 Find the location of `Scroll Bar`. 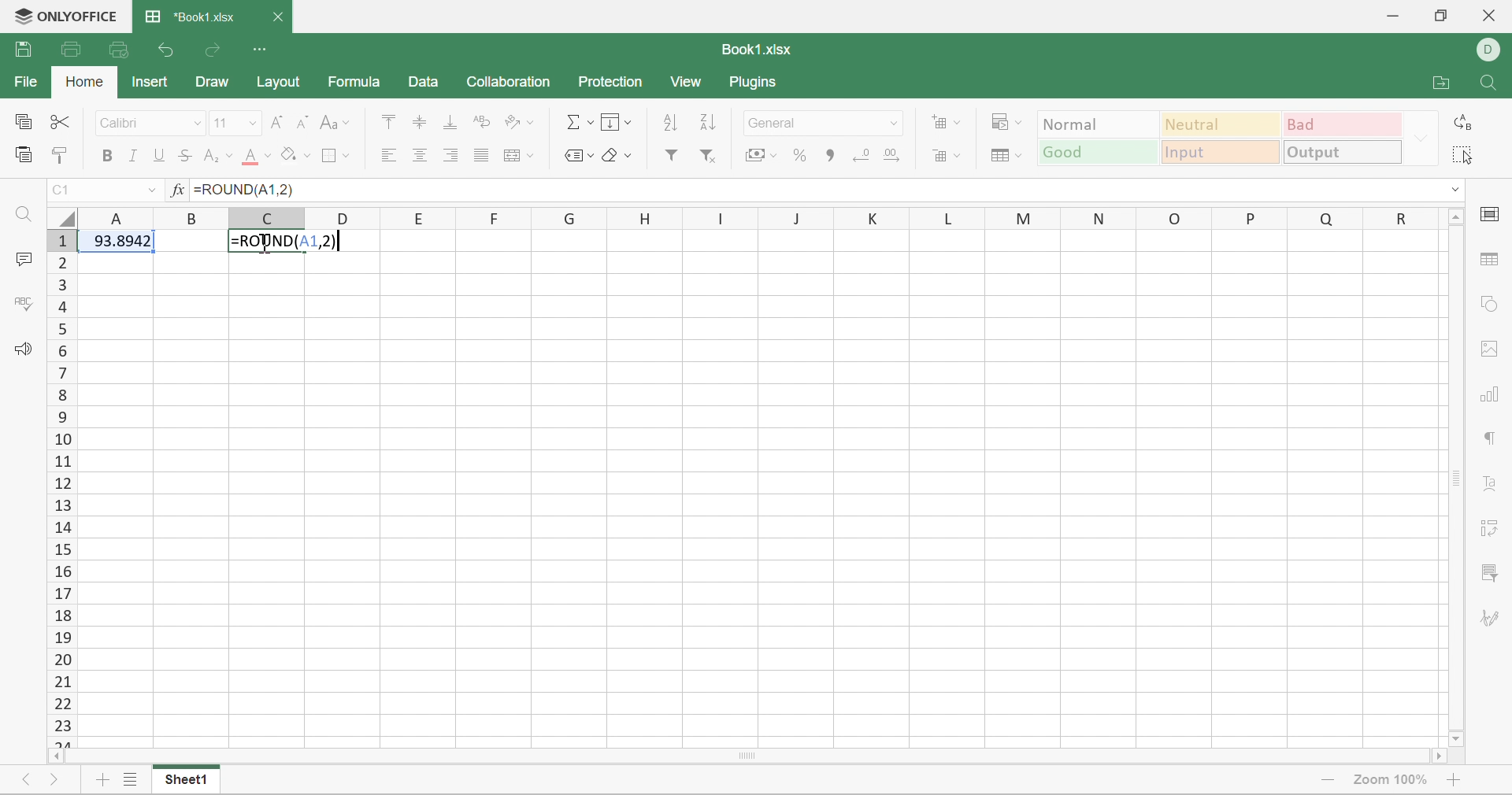

Scroll Bar is located at coordinates (1453, 480).